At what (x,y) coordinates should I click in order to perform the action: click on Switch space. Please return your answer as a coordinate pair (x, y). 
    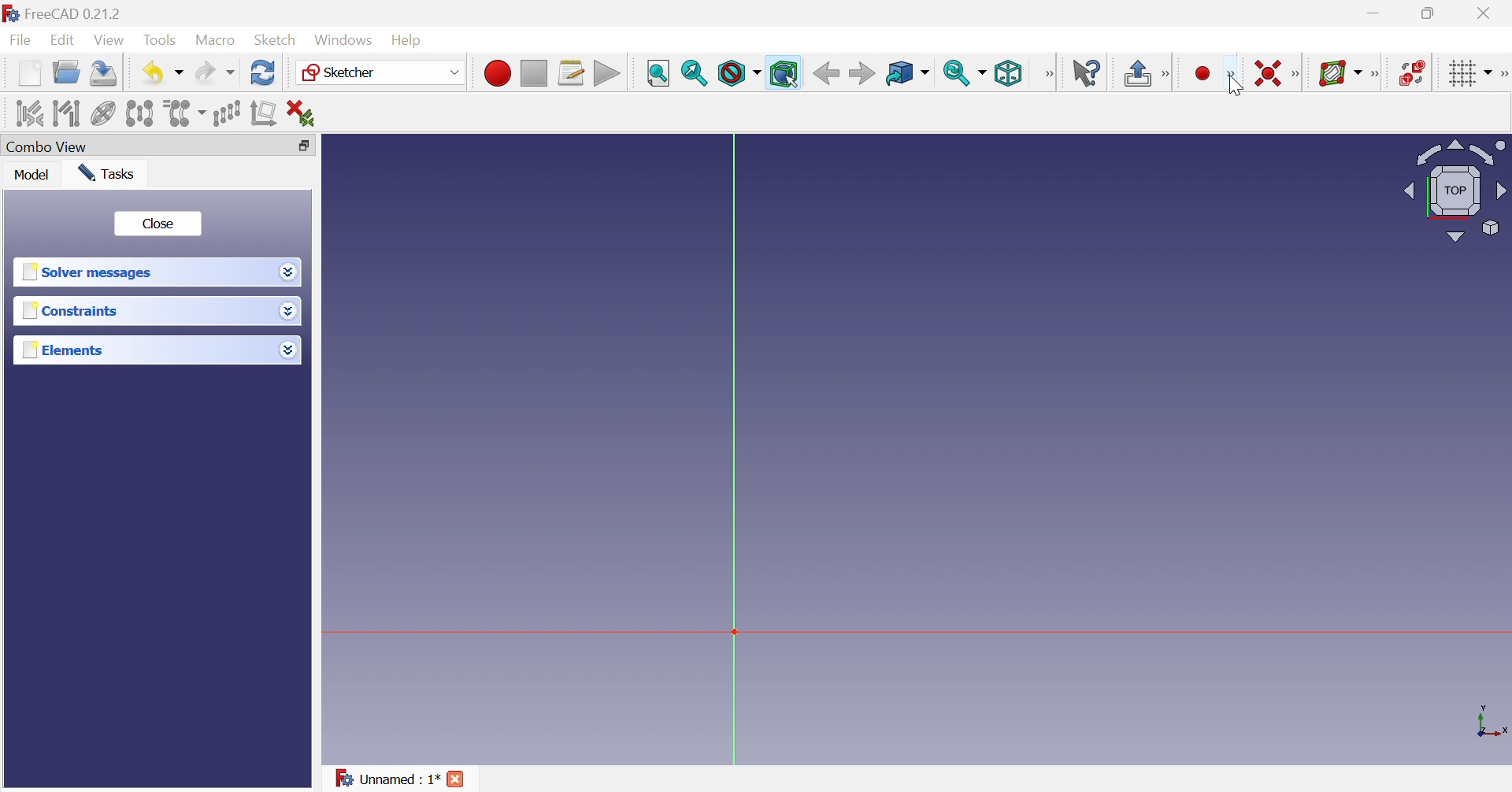
    Looking at the image, I should click on (1414, 72).